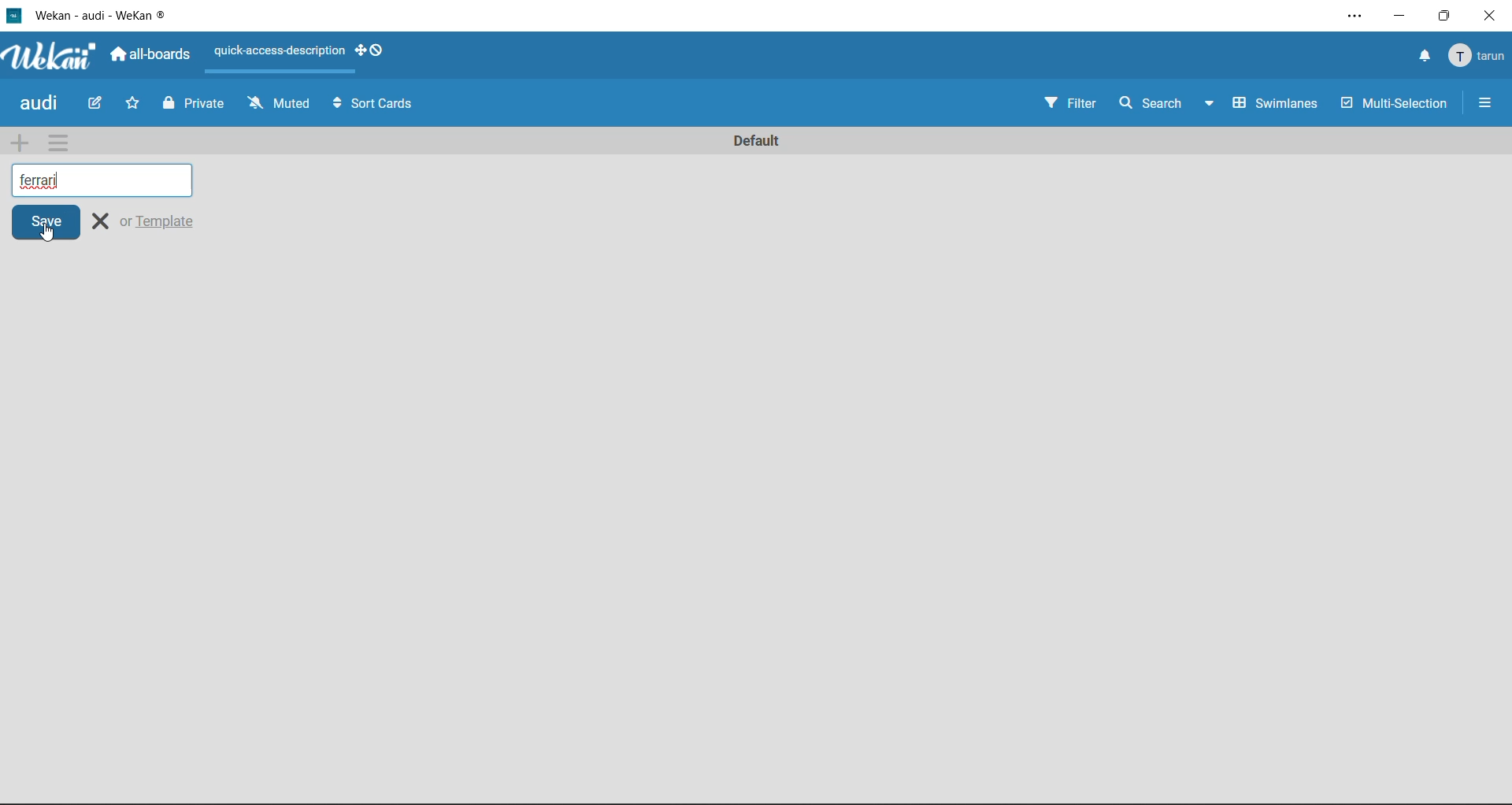 The height and width of the screenshot is (805, 1512). What do you see at coordinates (1395, 16) in the screenshot?
I see `minimize` at bounding box center [1395, 16].